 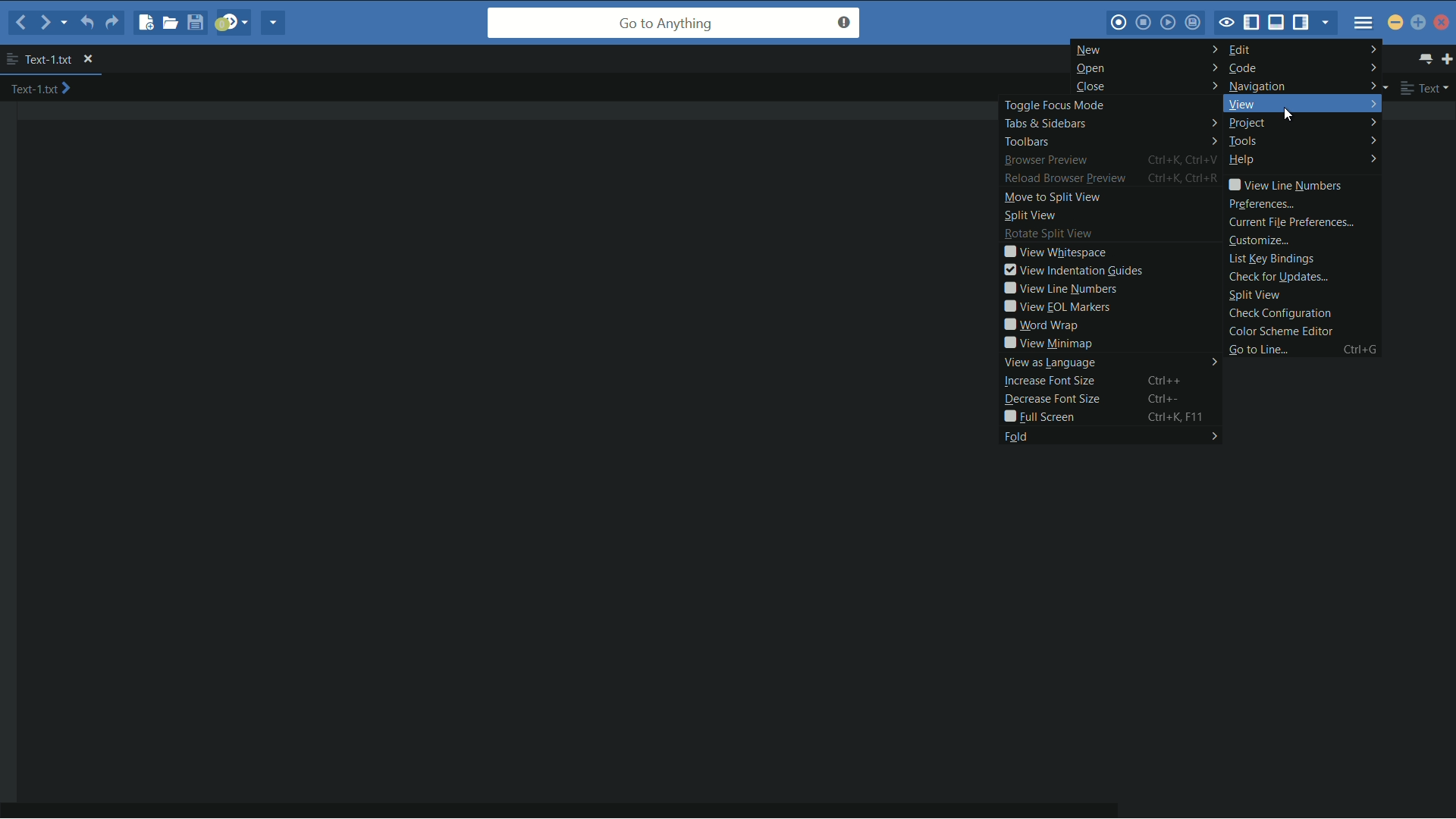 What do you see at coordinates (1197, 22) in the screenshot?
I see `save macro to toolbox` at bounding box center [1197, 22].